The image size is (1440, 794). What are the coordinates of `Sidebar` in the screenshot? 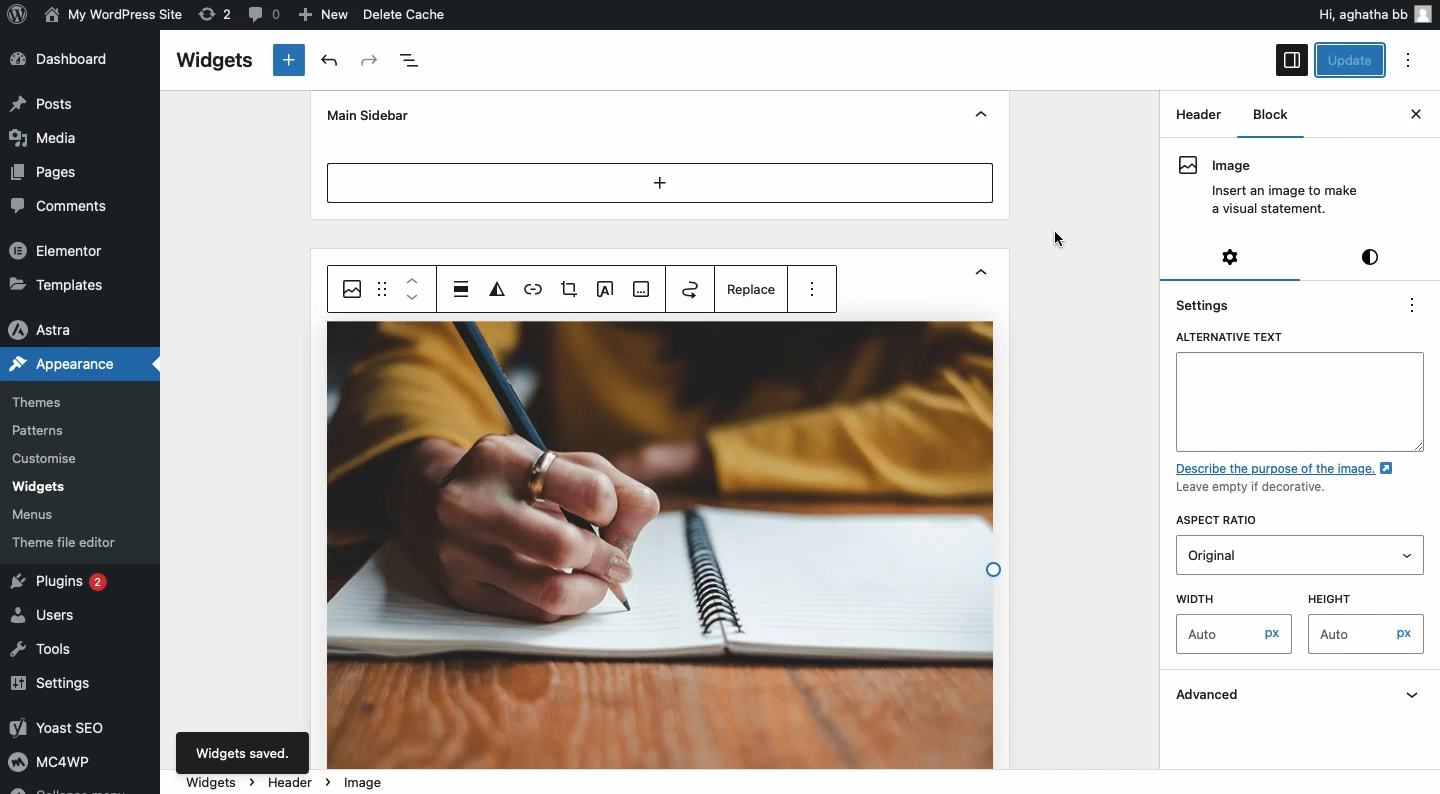 It's located at (1292, 60).